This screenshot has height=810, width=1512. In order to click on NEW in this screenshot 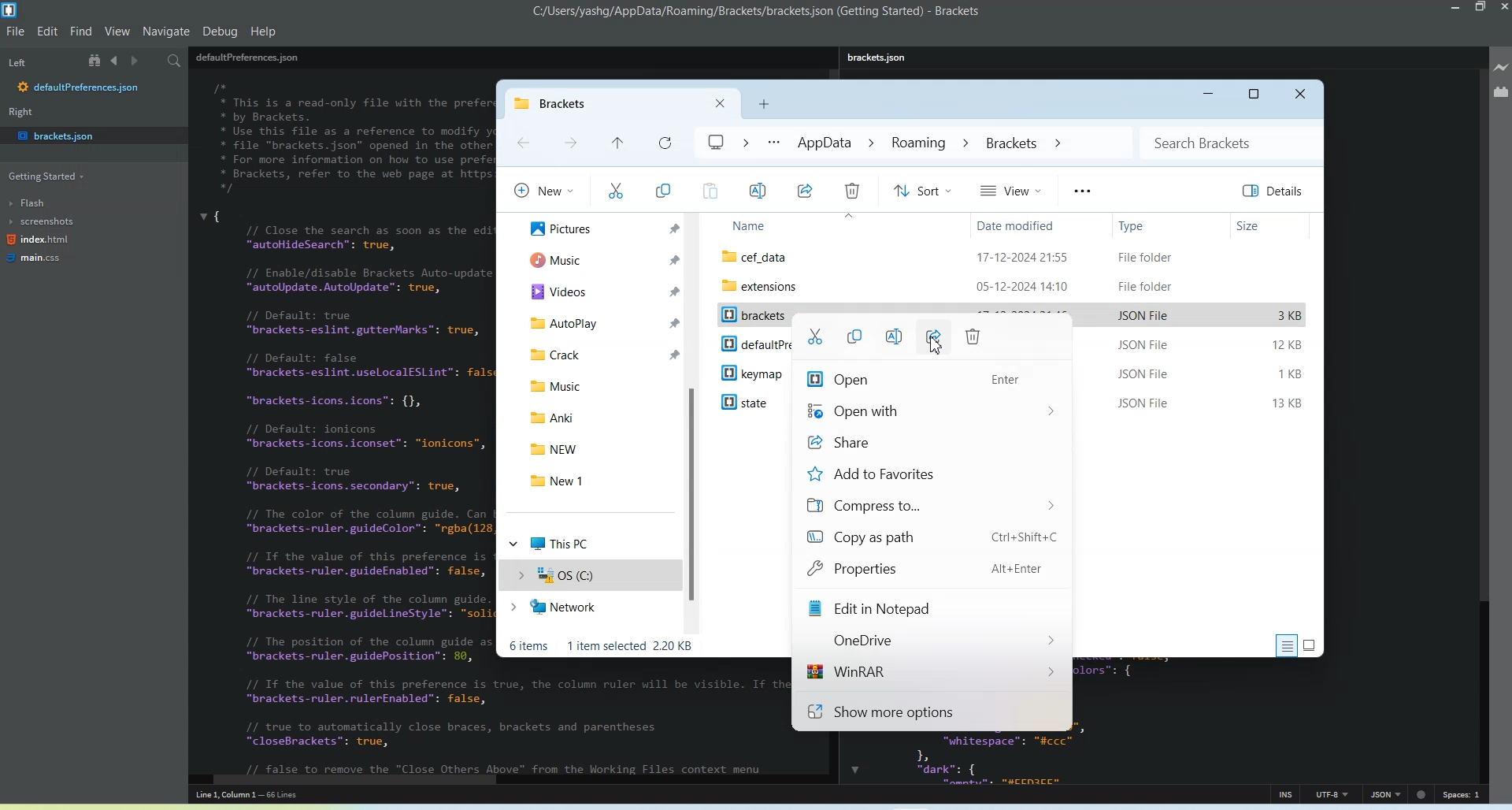, I will do `click(599, 447)`.